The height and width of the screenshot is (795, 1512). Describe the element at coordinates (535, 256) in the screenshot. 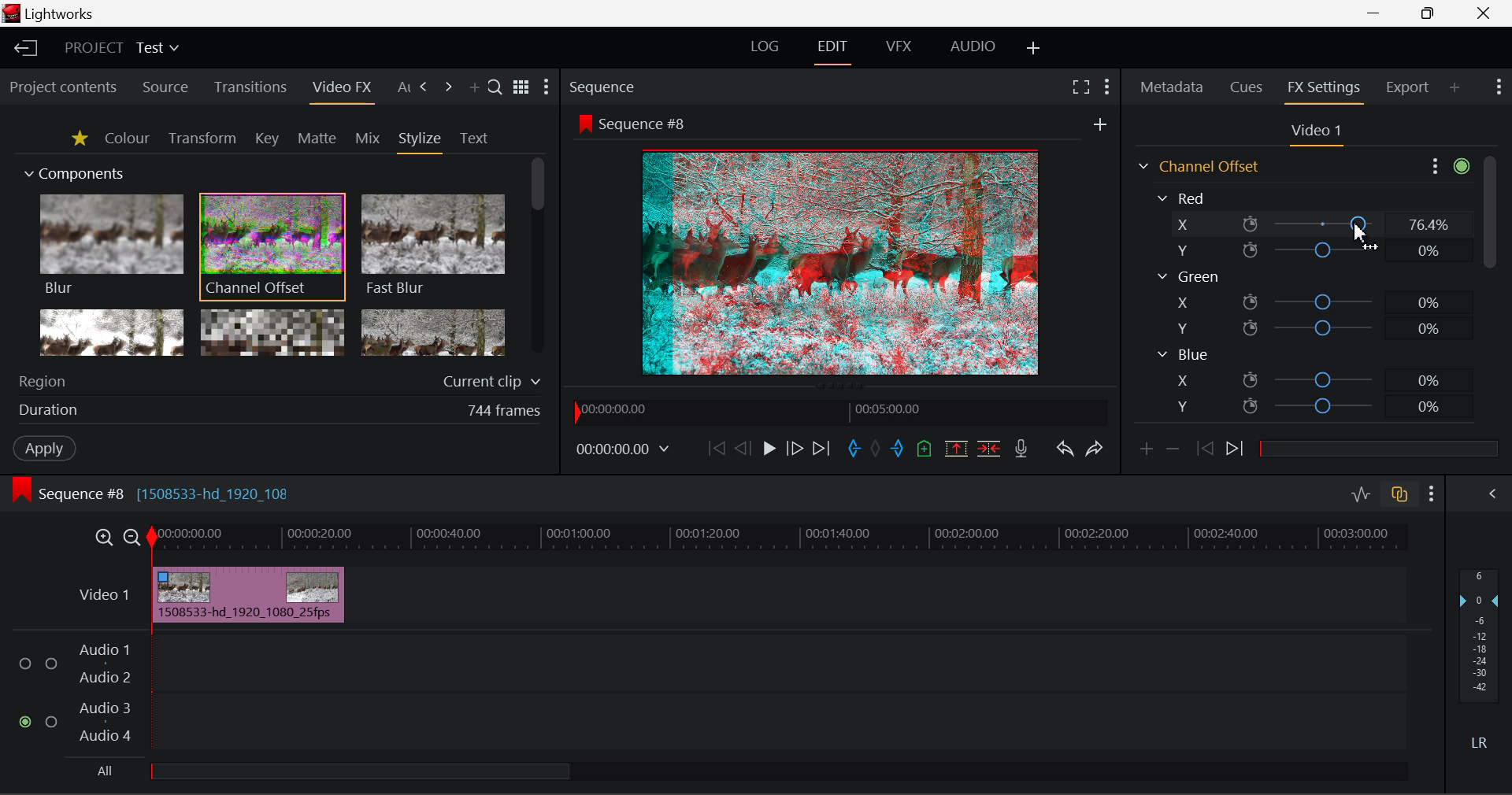

I see `Scroll Bar` at that location.